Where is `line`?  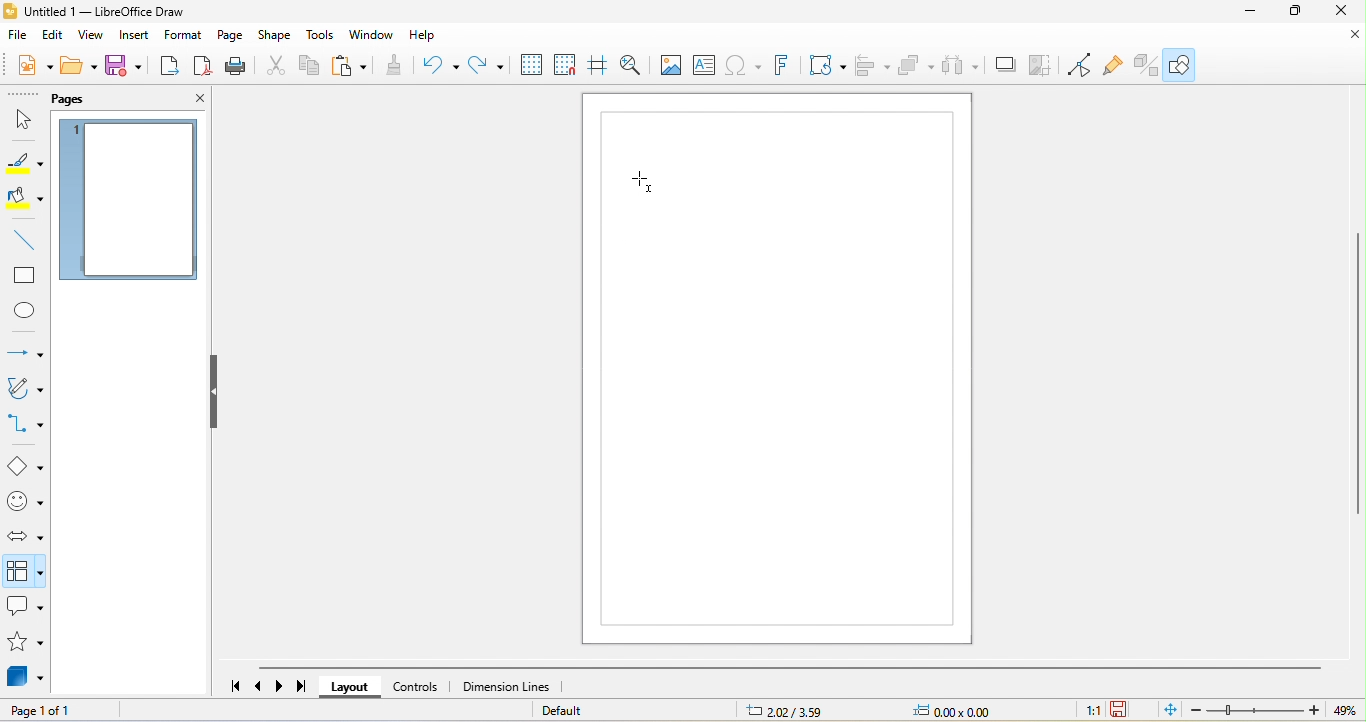 line is located at coordinates (25, 241).